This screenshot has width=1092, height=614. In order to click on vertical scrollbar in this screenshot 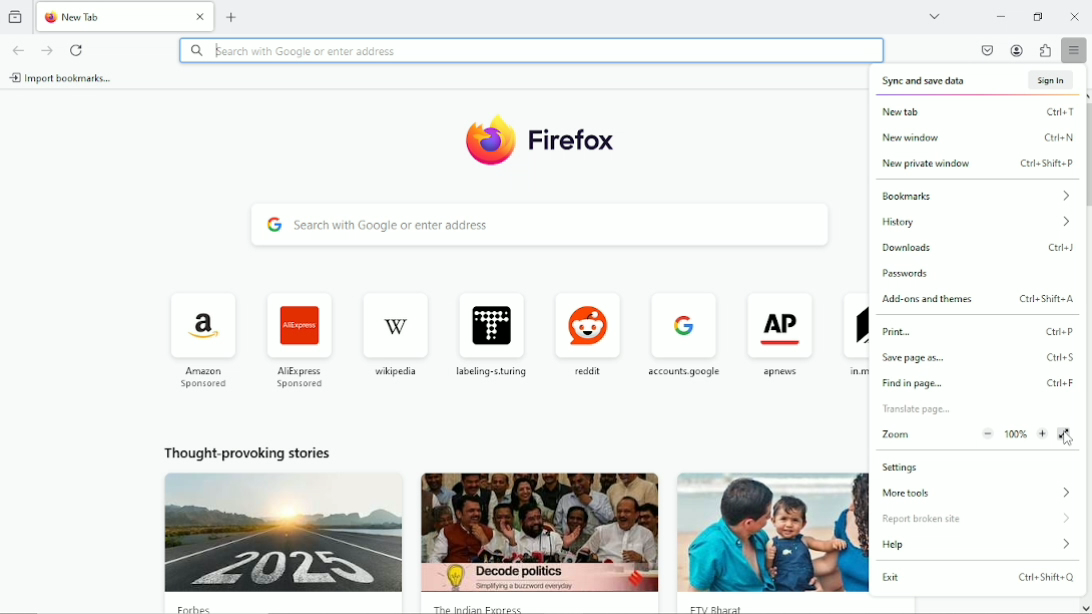, I will do `click(1090, 158)`.